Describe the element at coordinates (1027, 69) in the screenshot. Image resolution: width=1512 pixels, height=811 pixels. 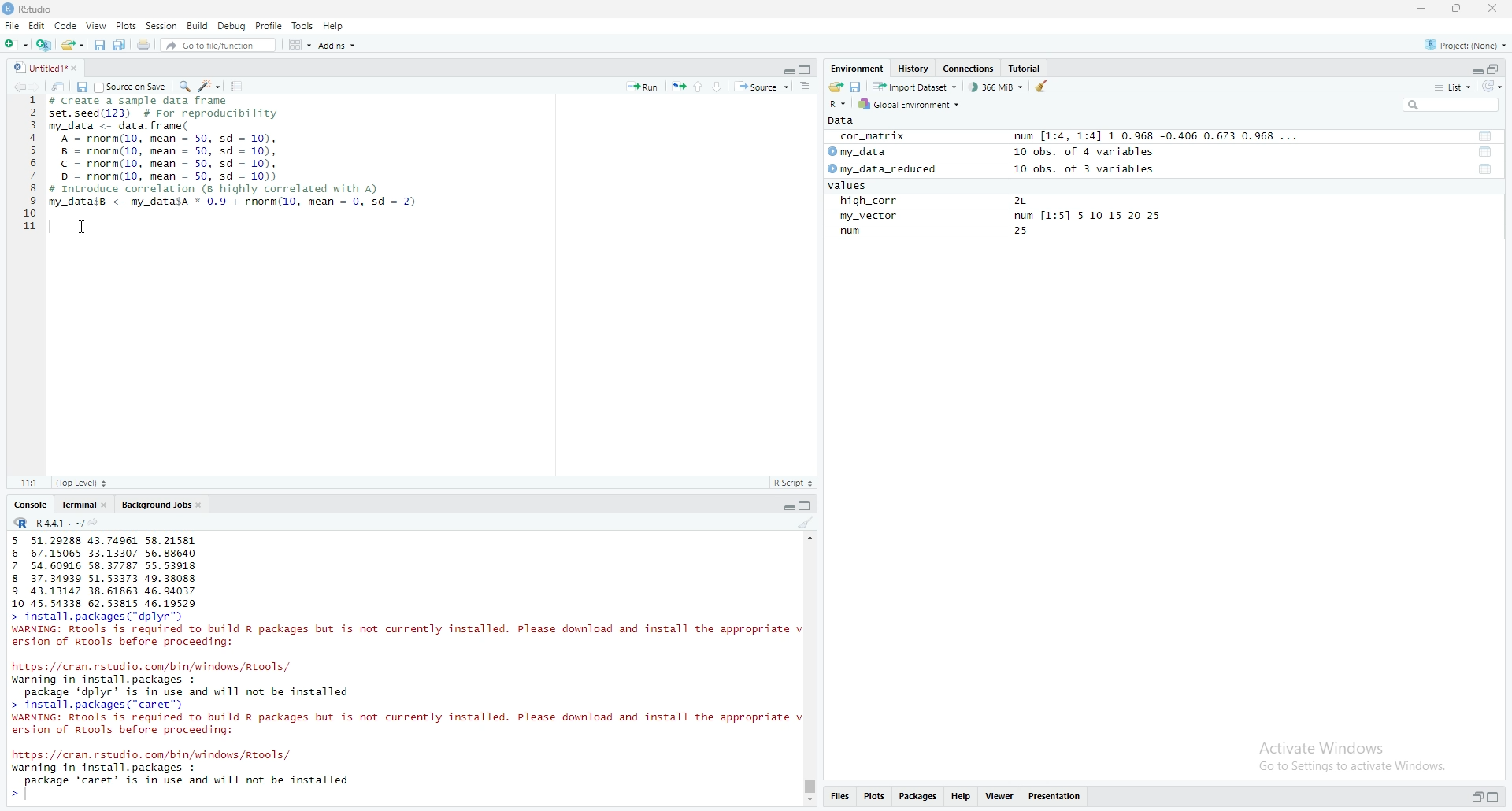
I see `Tutorial` at that location.